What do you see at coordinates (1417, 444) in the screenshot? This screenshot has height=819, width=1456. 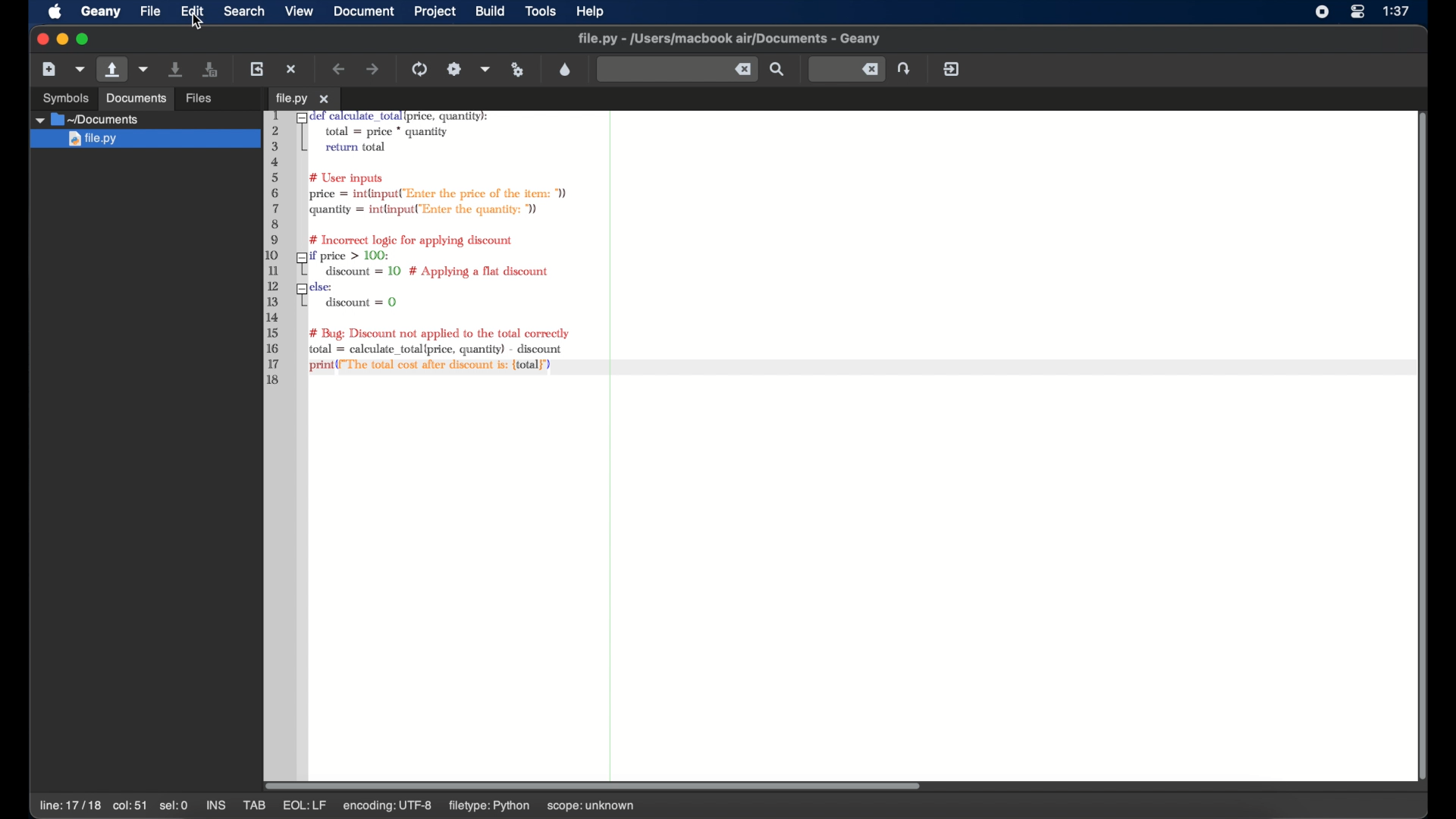 I see `scroll bar` at bounding box center [1417, 444].